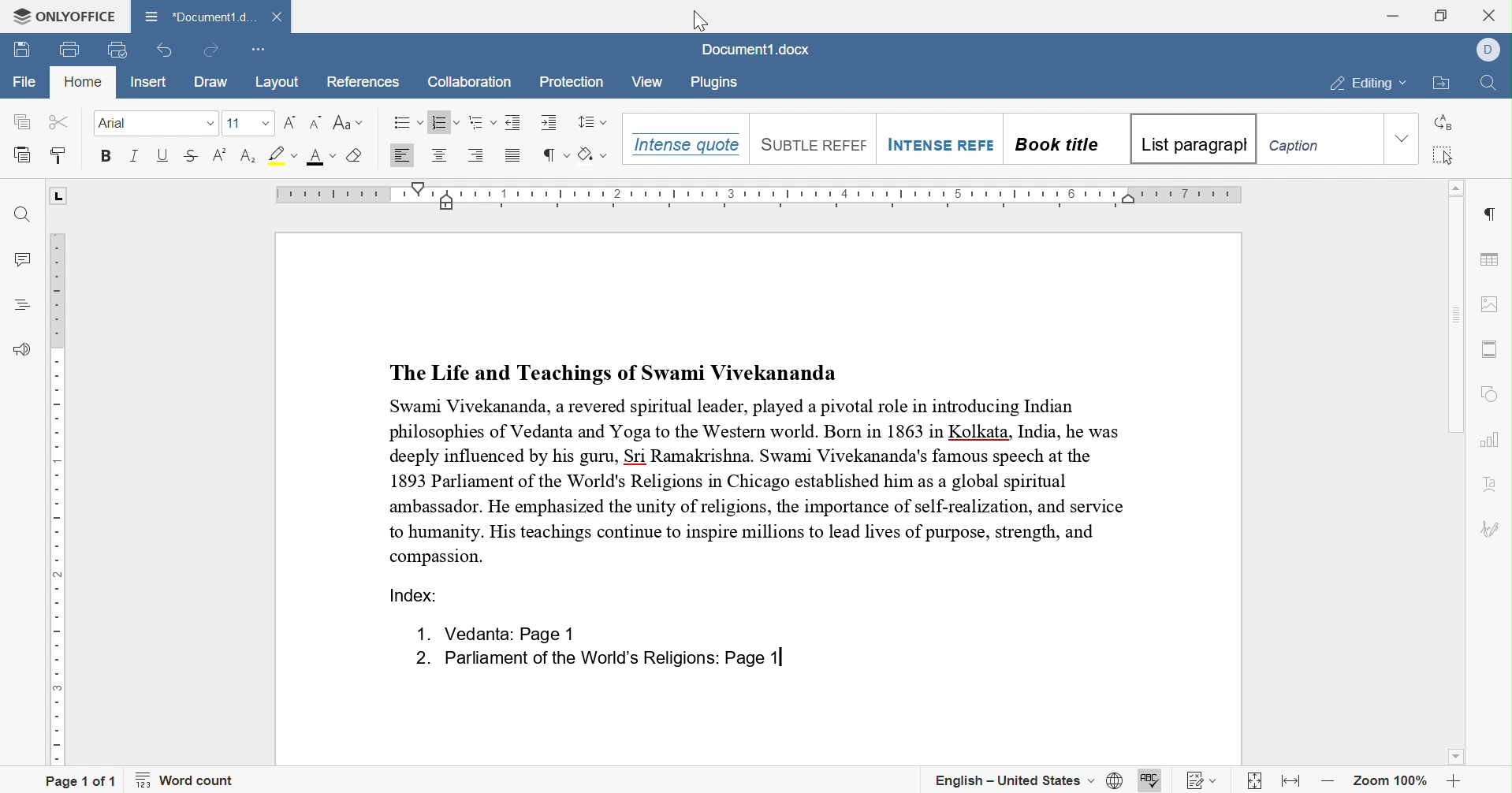  What do you see at coordinates (151, 82) in the screenshot?
I see `insert` at bounding box center [151, 82].